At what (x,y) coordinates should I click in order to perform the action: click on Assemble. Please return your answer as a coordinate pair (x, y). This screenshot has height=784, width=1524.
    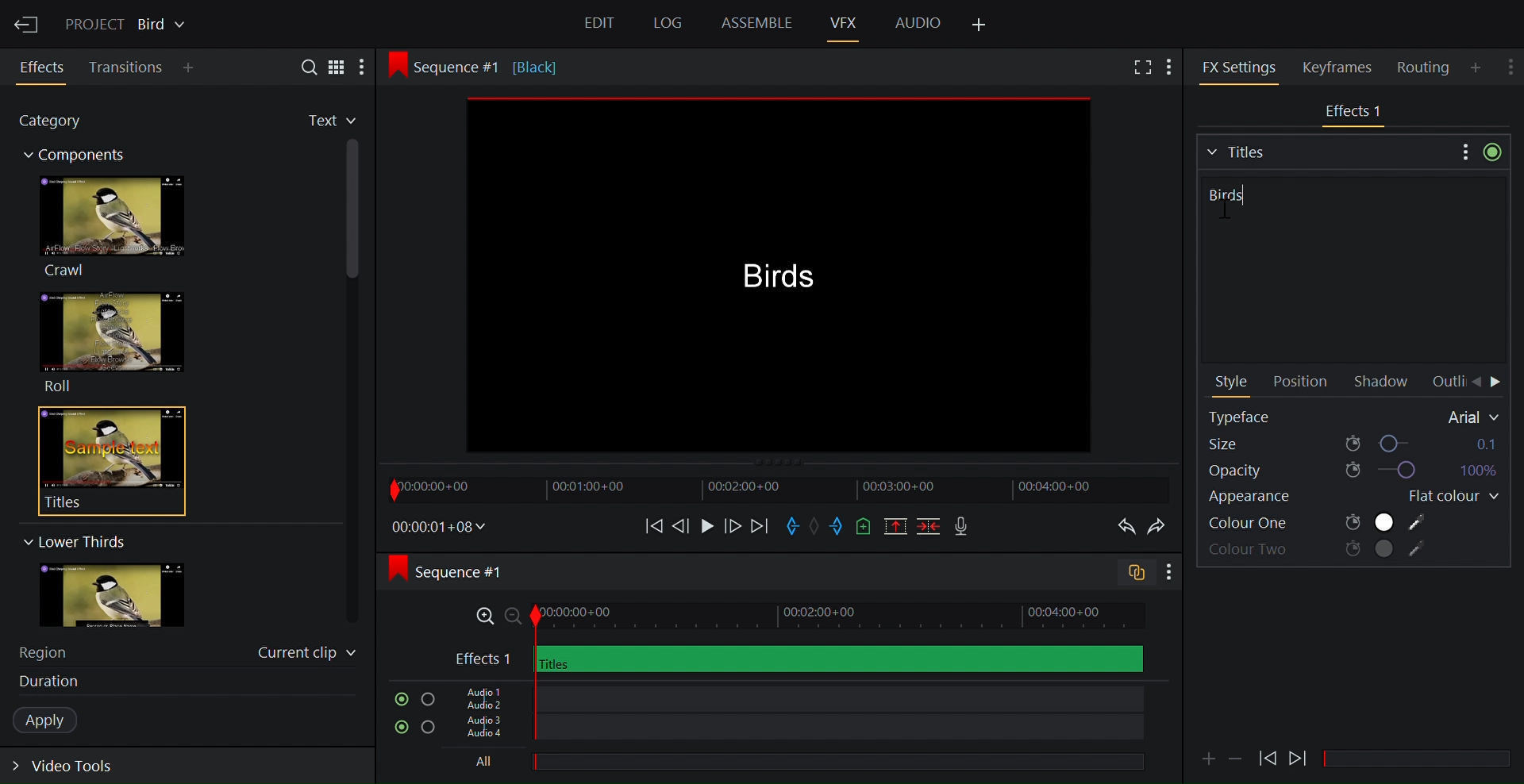
    Looking at the image, I should click on (756, 23).